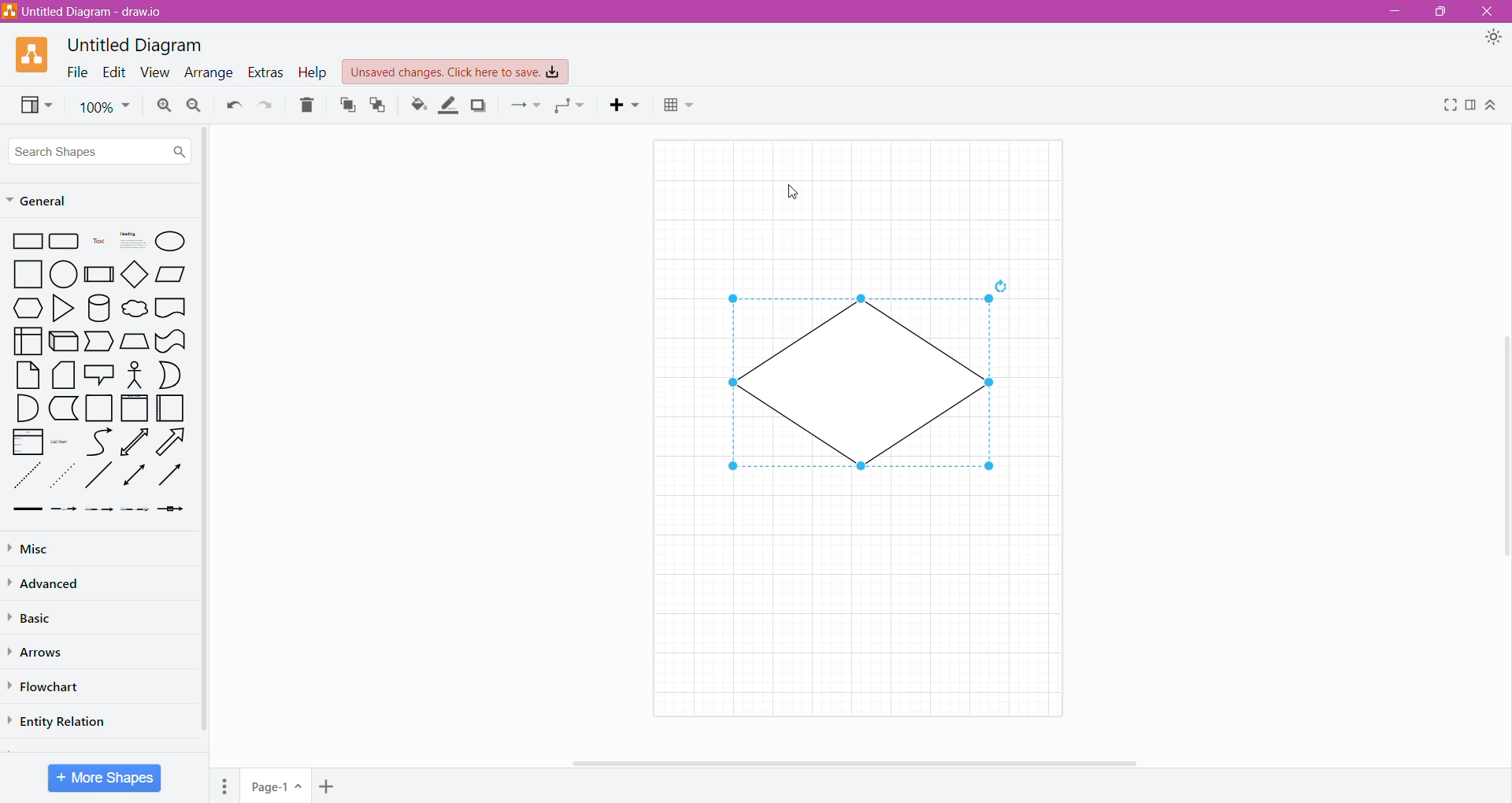 The width and height of the screenshot is (1512, 803). I want to click on Application Logo, so click(34, 54).